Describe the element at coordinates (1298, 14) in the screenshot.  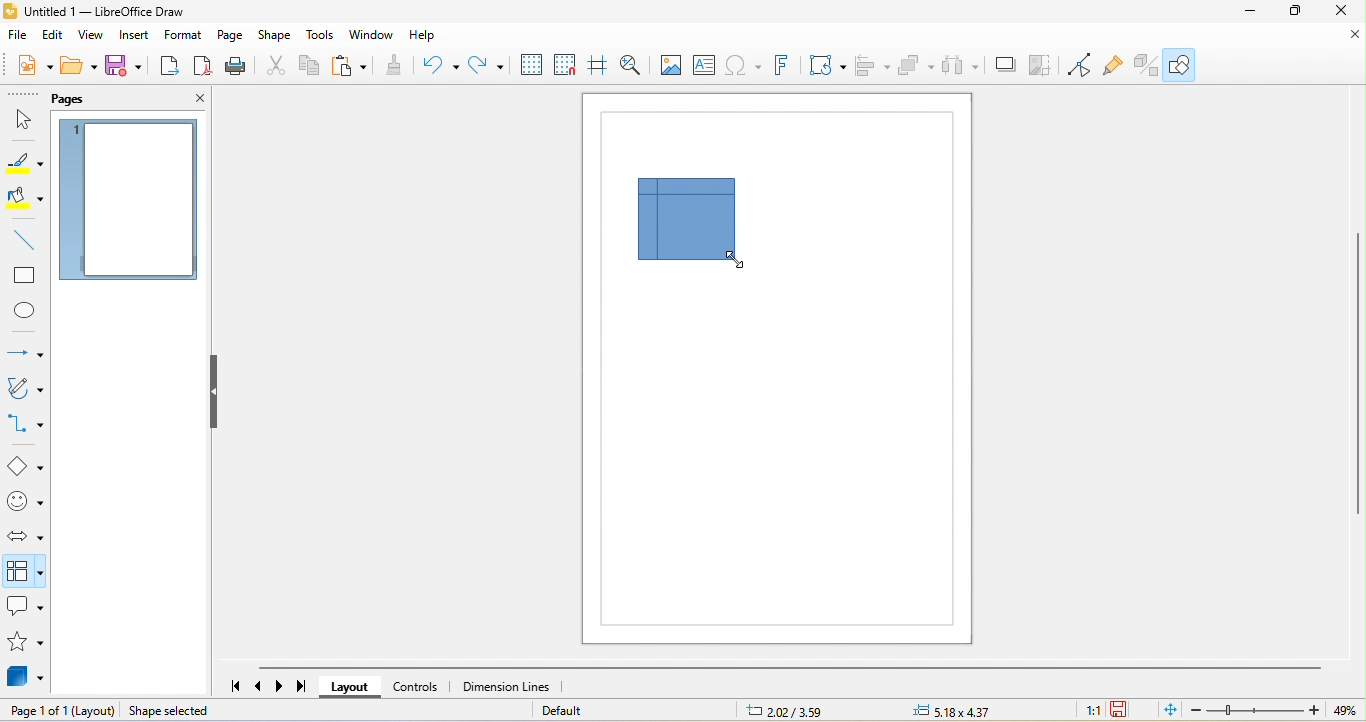
I see `maximize` at that location.